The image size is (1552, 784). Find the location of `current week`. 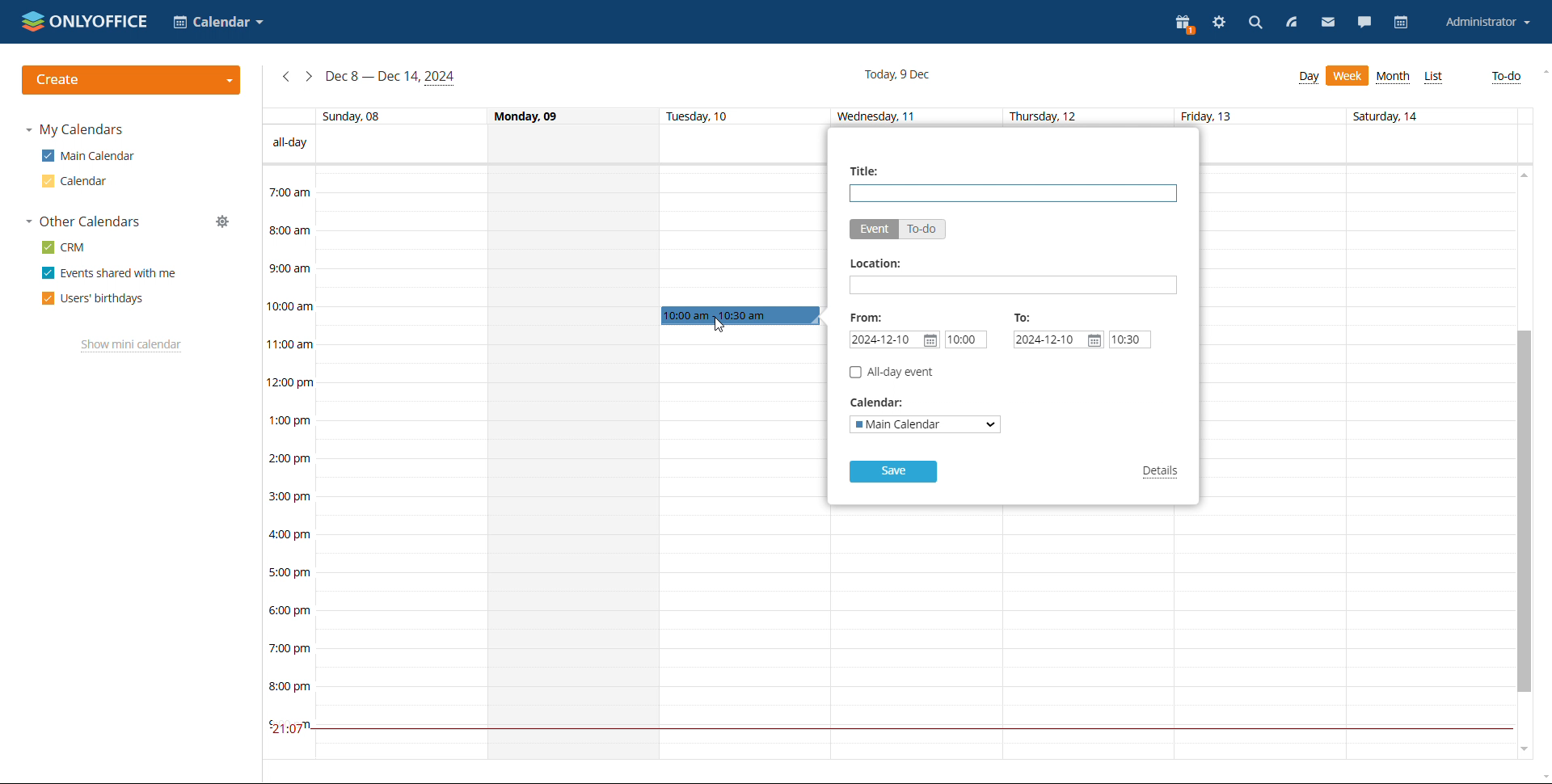

current week is located at coordinates (391, 77).